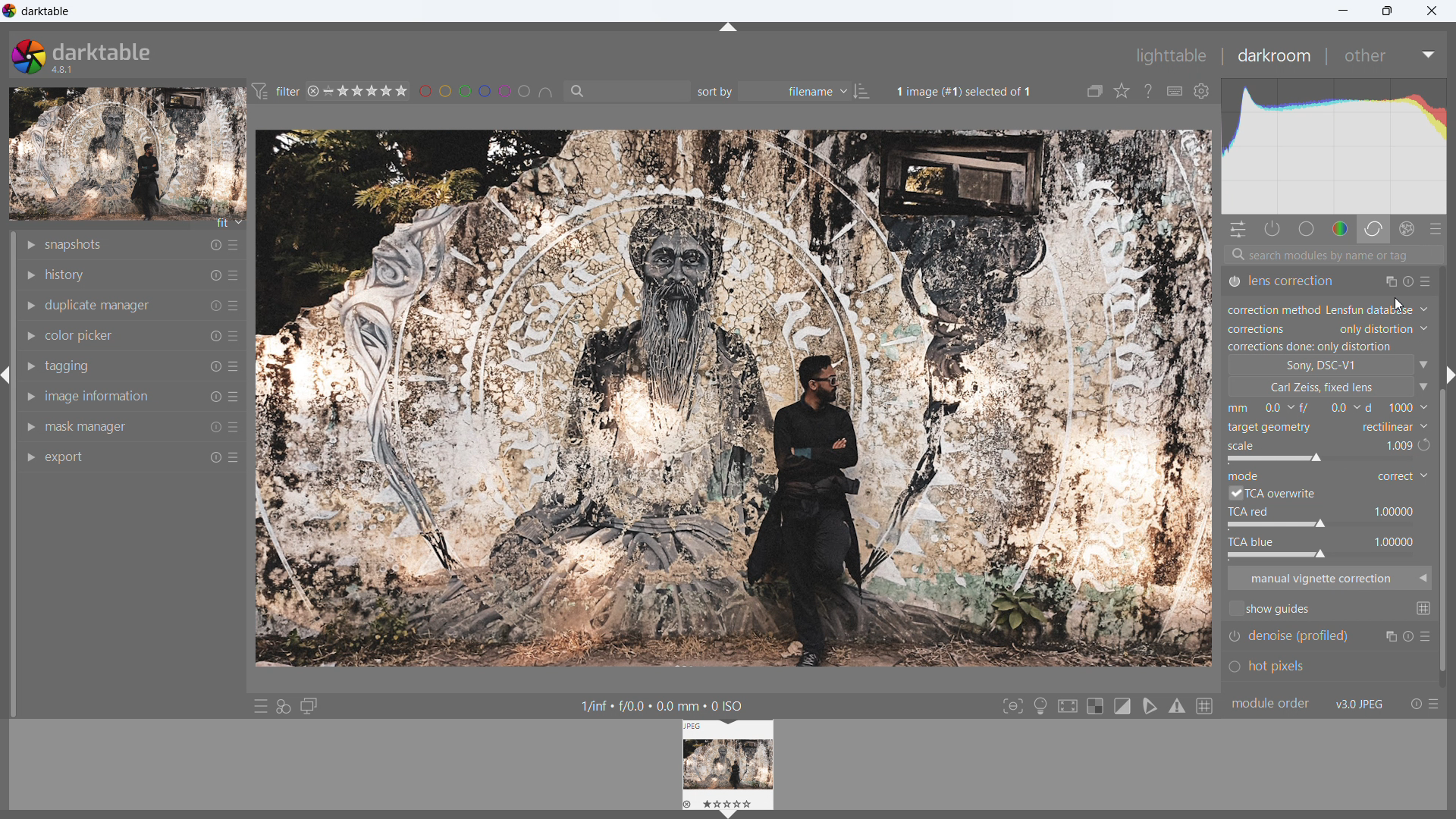 This screenshot has height=819, width=1456. Describe the element at coordinates (228, 227) in the screenshot. I see `fit` at that location.